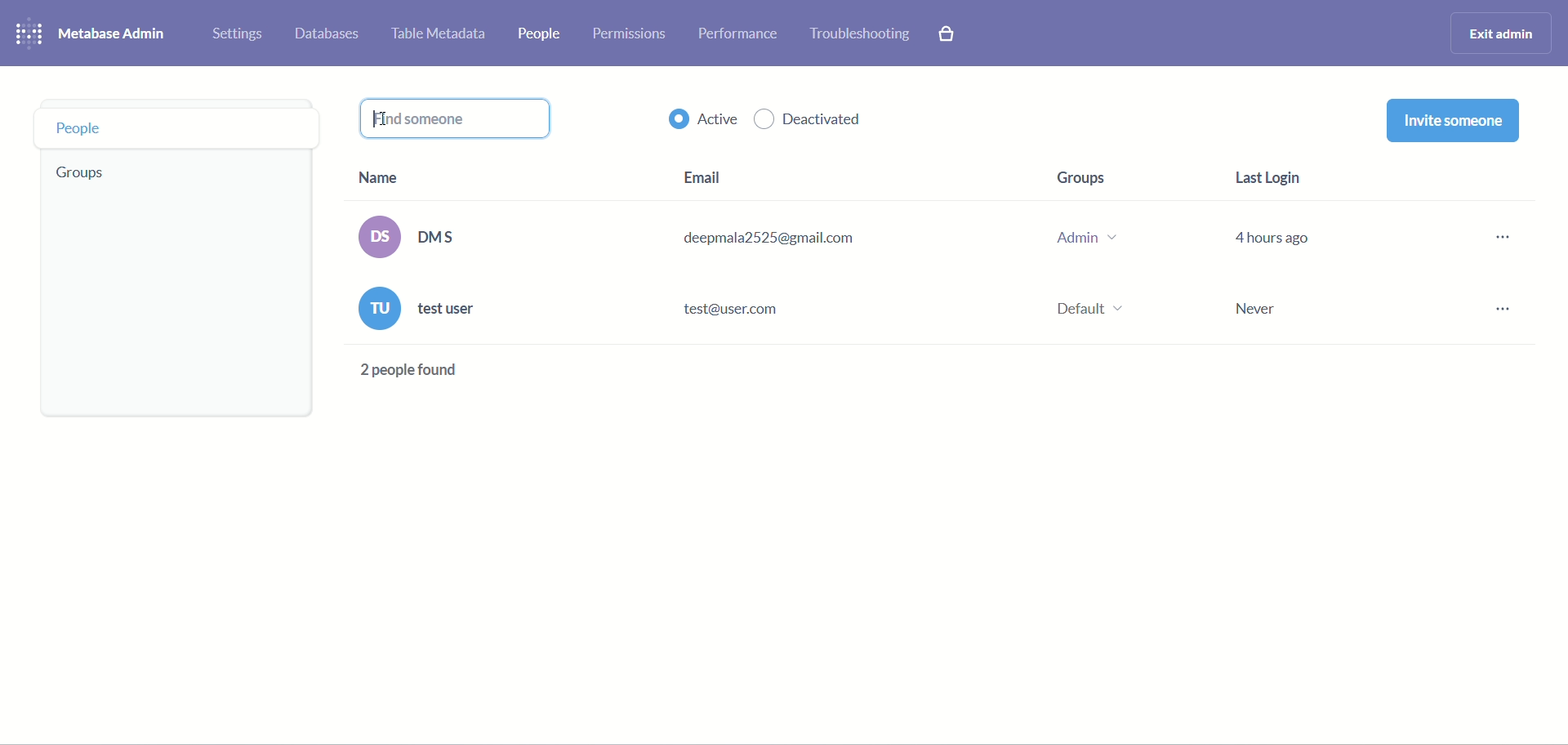 This screenshot has width=1568, height=745. Describe the element at coordinates (238, 34) in the screenshot. I see `settings` at that location.